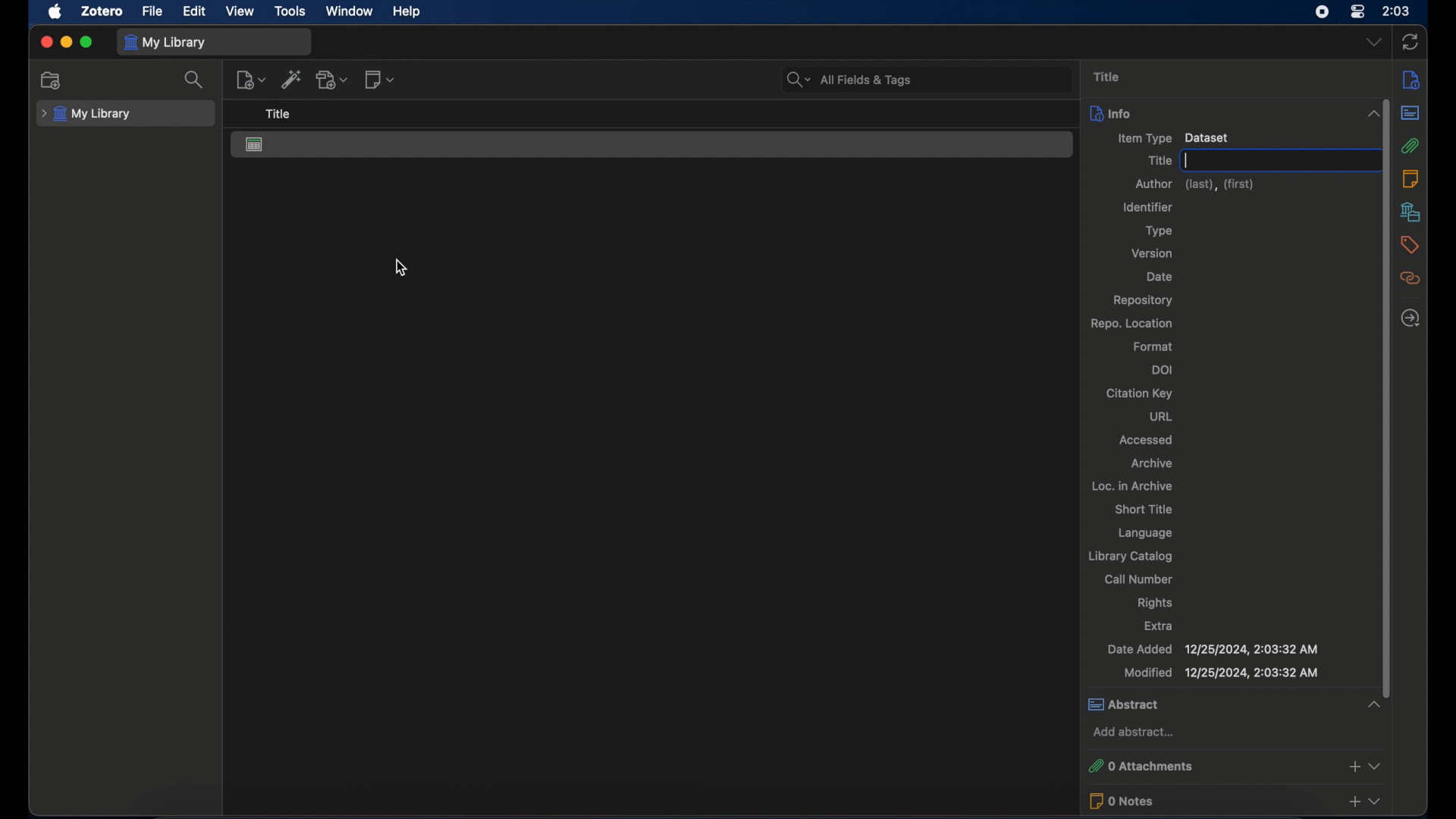 This screenshot has width=1456, height=819. I want to click on attachments, so click(1411, 146).